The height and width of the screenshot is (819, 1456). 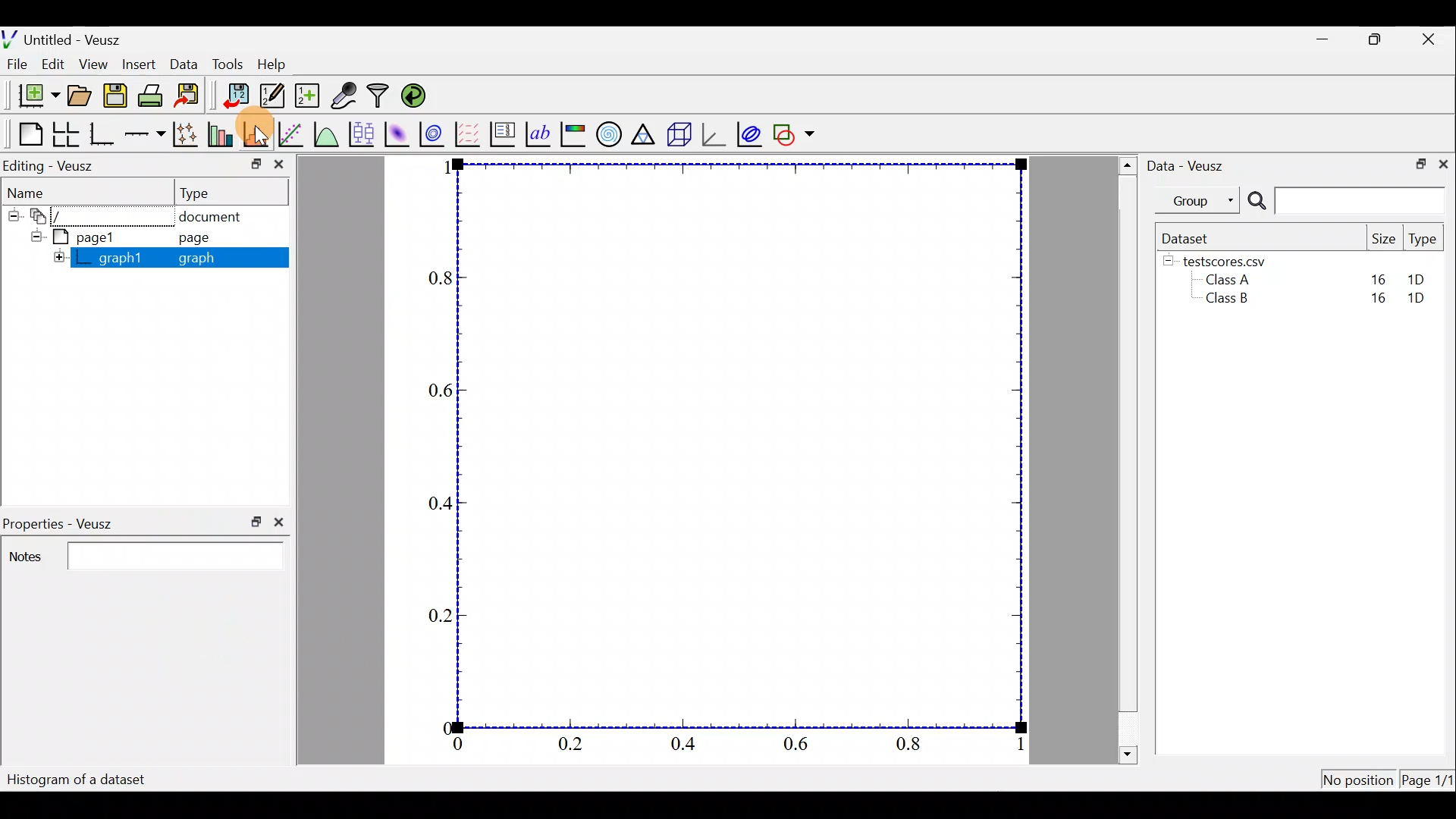 I want to click on Close, so click(x=1445, y=165).